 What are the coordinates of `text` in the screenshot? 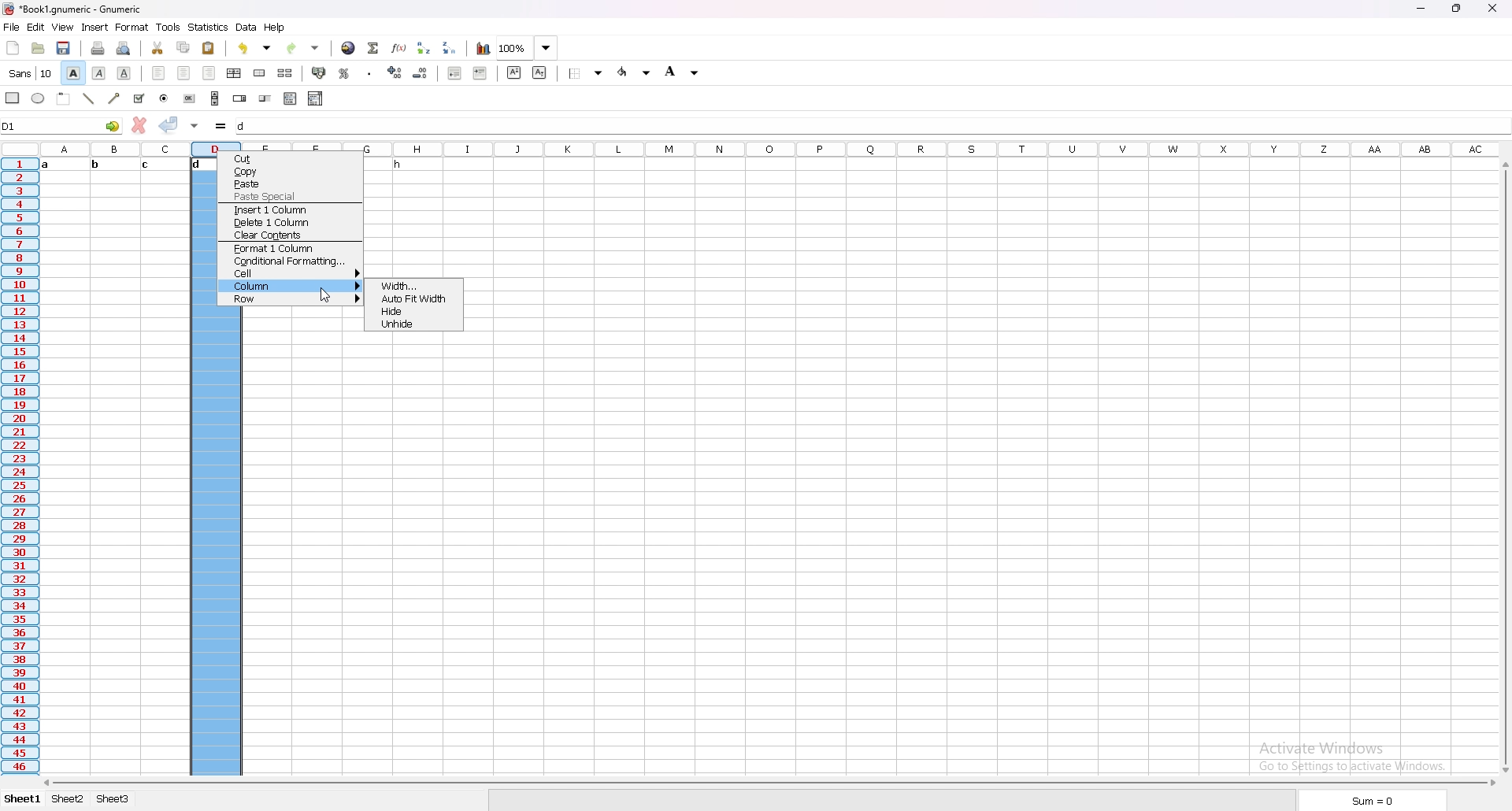 It's located at (130, 165).